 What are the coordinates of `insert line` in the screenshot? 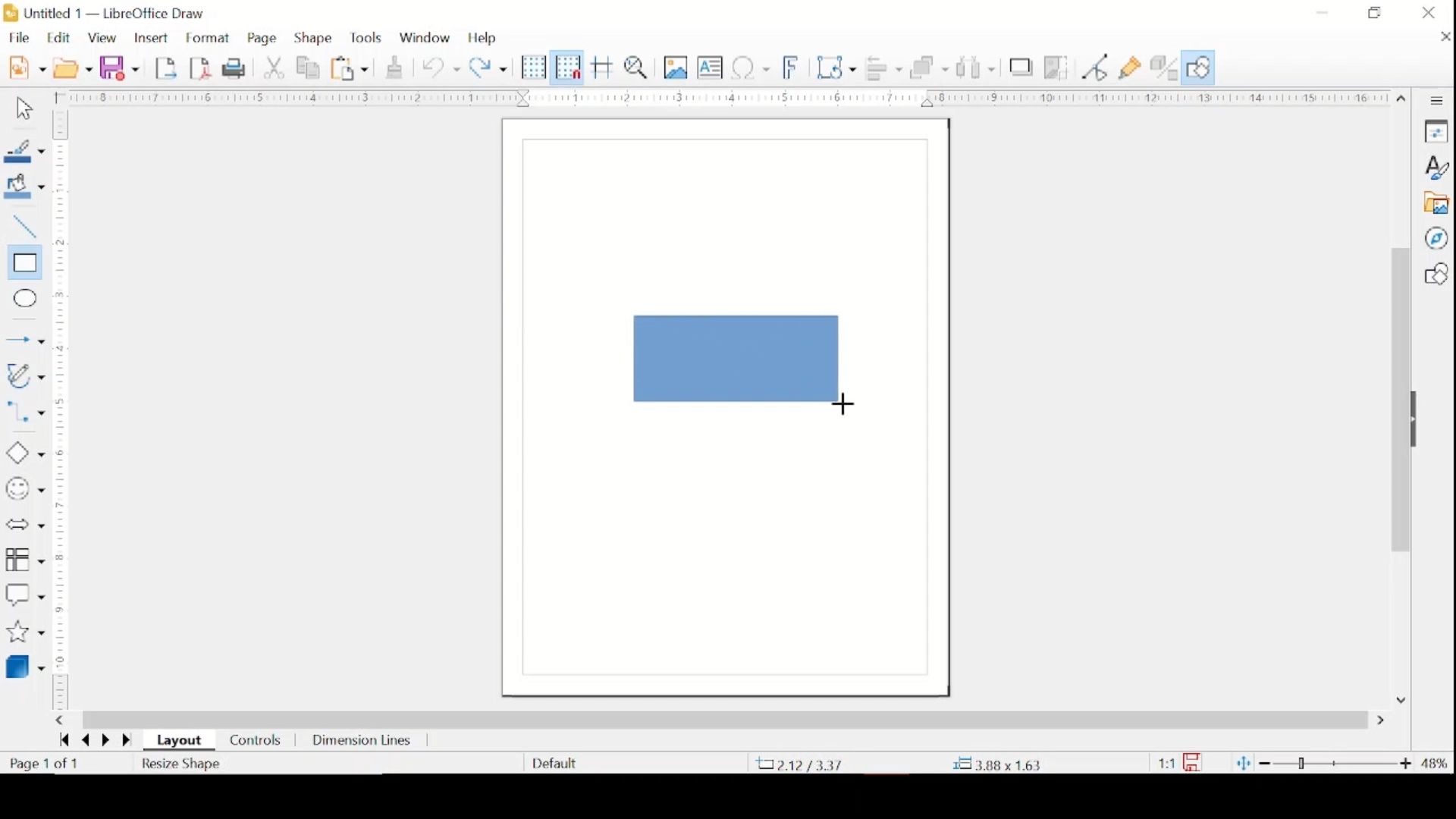 It's located at (23, 227).